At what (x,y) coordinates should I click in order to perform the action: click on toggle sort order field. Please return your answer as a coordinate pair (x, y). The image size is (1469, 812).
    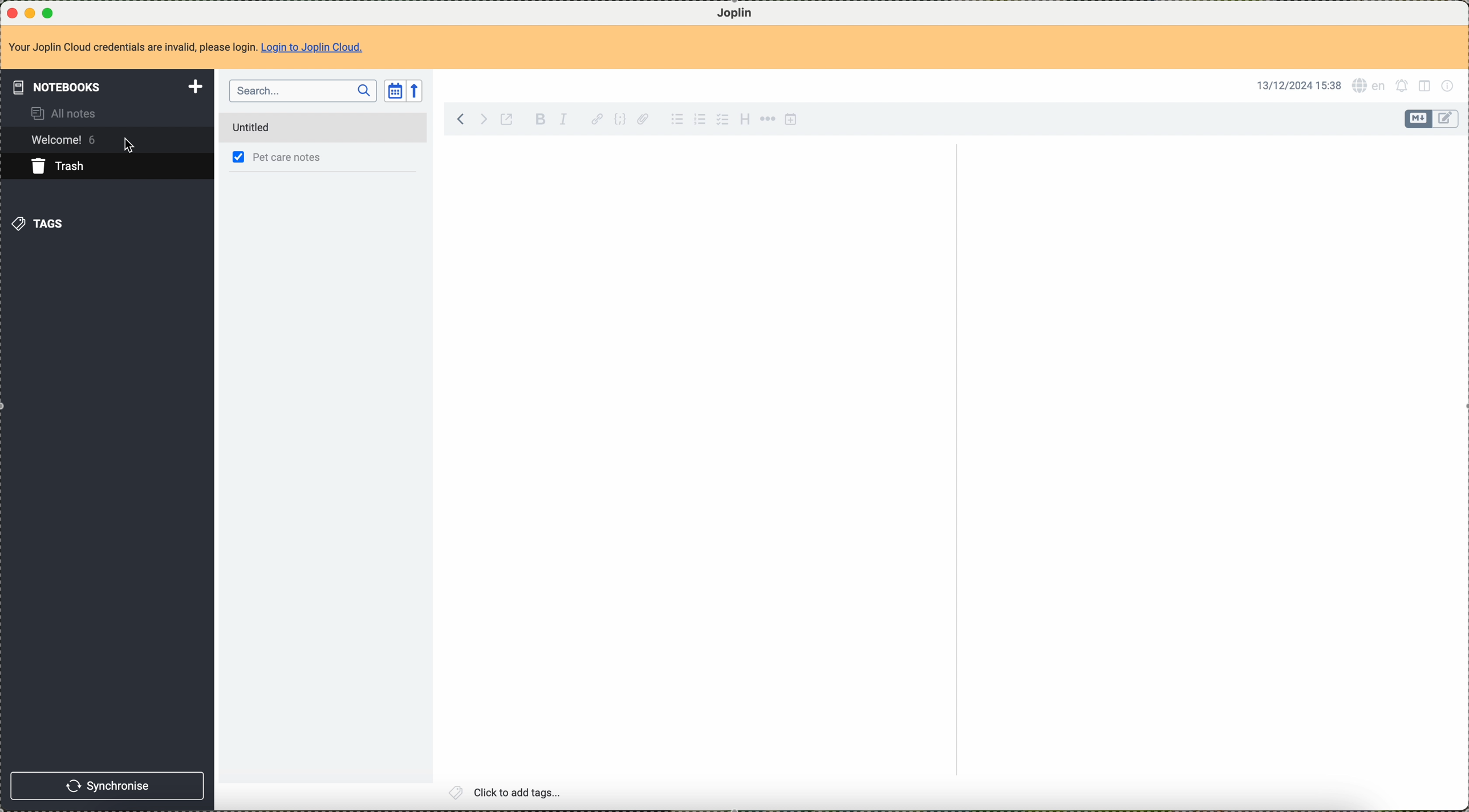
    Looking at the image, I should click on (392, 92).